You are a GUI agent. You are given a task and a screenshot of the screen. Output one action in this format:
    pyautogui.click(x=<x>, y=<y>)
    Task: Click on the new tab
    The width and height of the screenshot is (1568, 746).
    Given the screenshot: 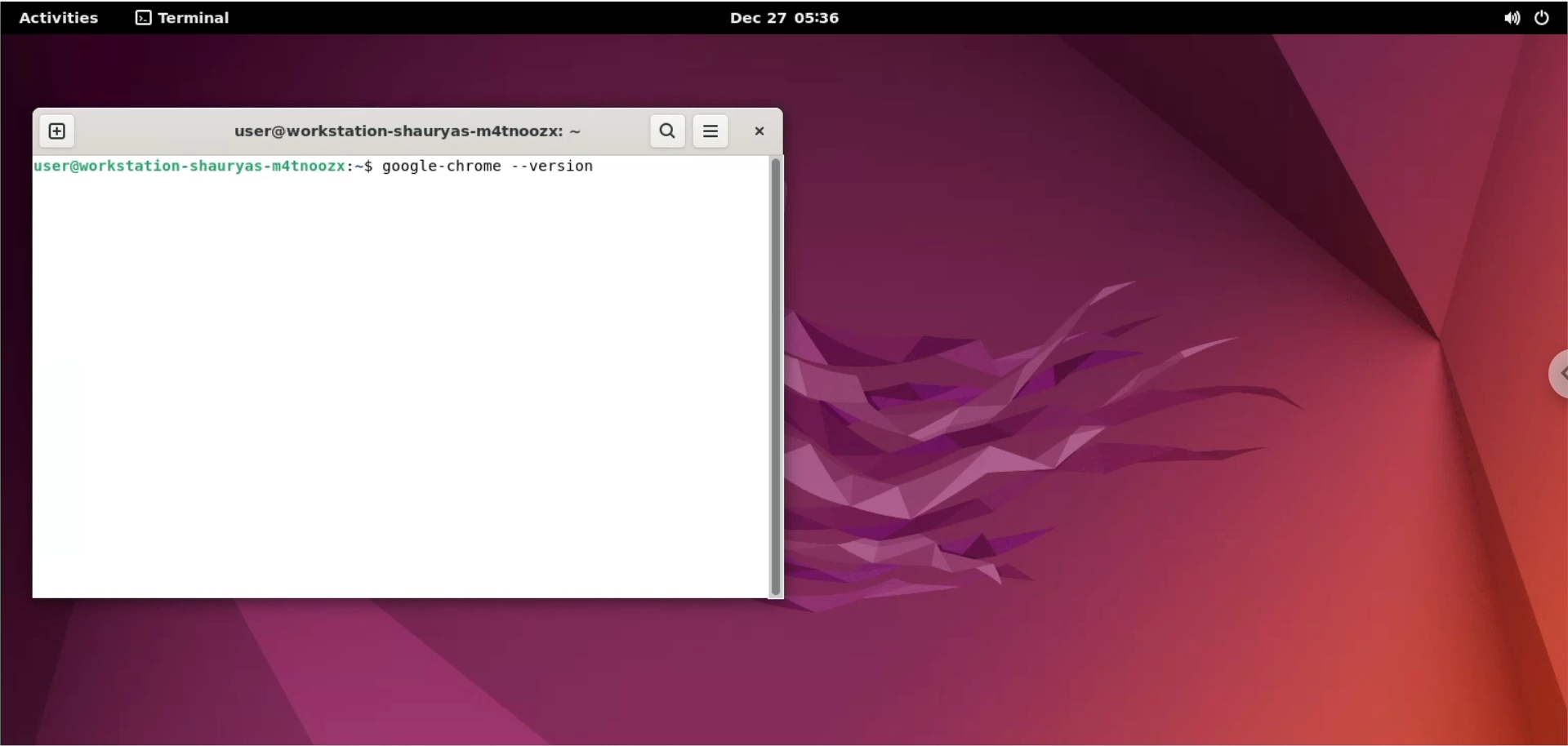 What is the action you would take?
    pyautogui.click(x=56, y=131)
    